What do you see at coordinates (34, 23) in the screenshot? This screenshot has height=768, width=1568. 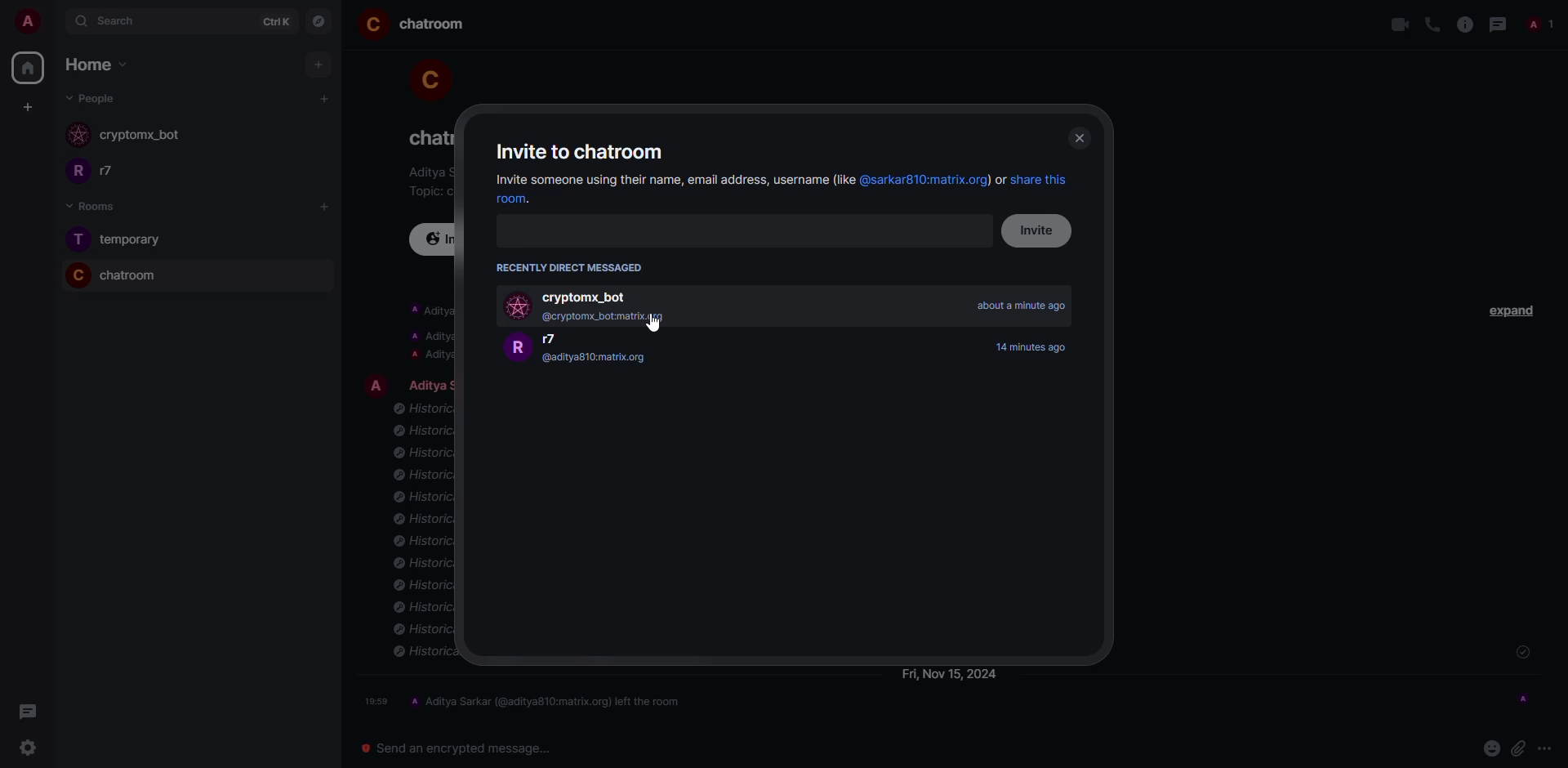 I see `account` at bounding box center [34, 23].